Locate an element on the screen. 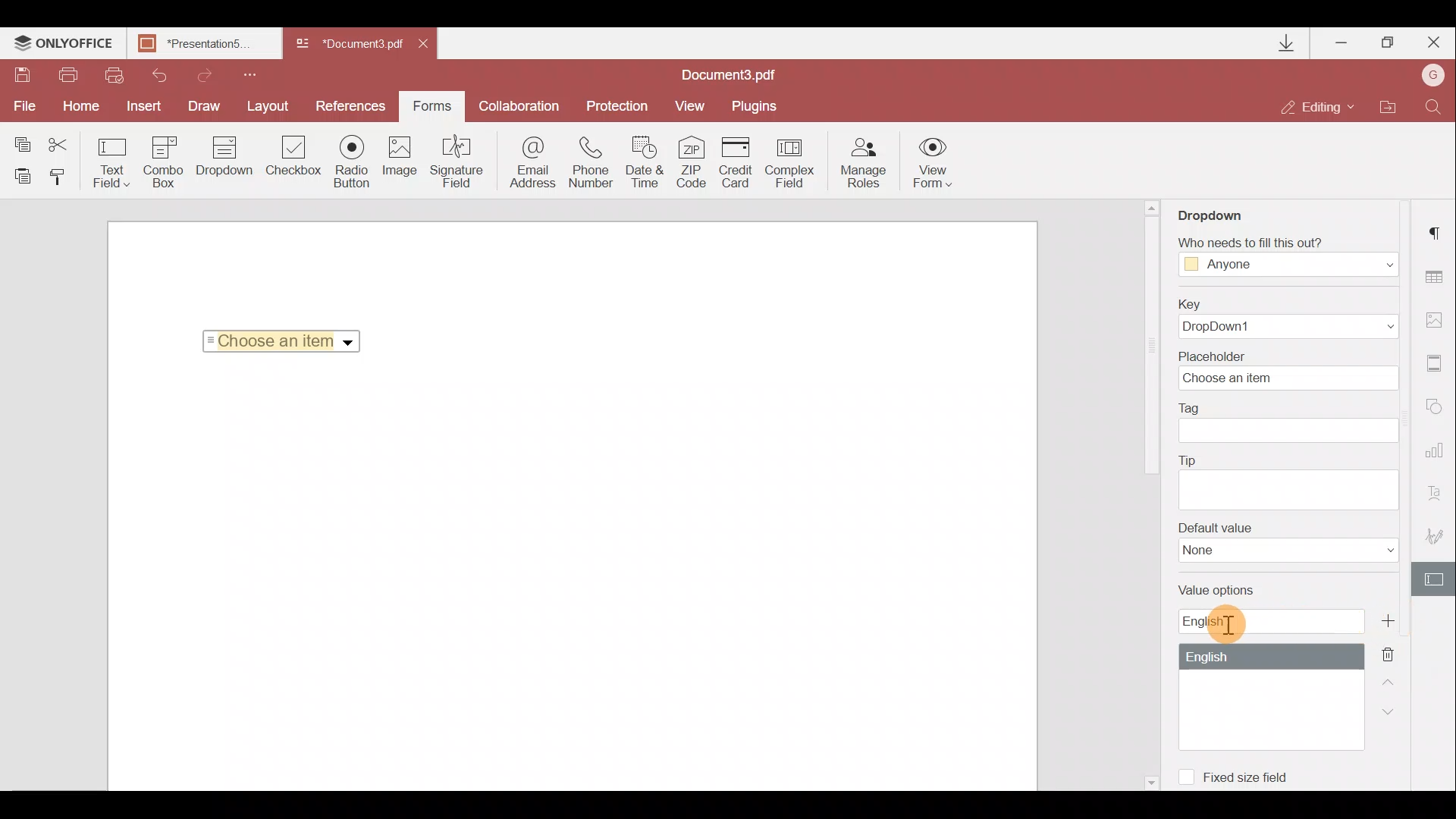  Downloads is located at coordinates (1288, 43).